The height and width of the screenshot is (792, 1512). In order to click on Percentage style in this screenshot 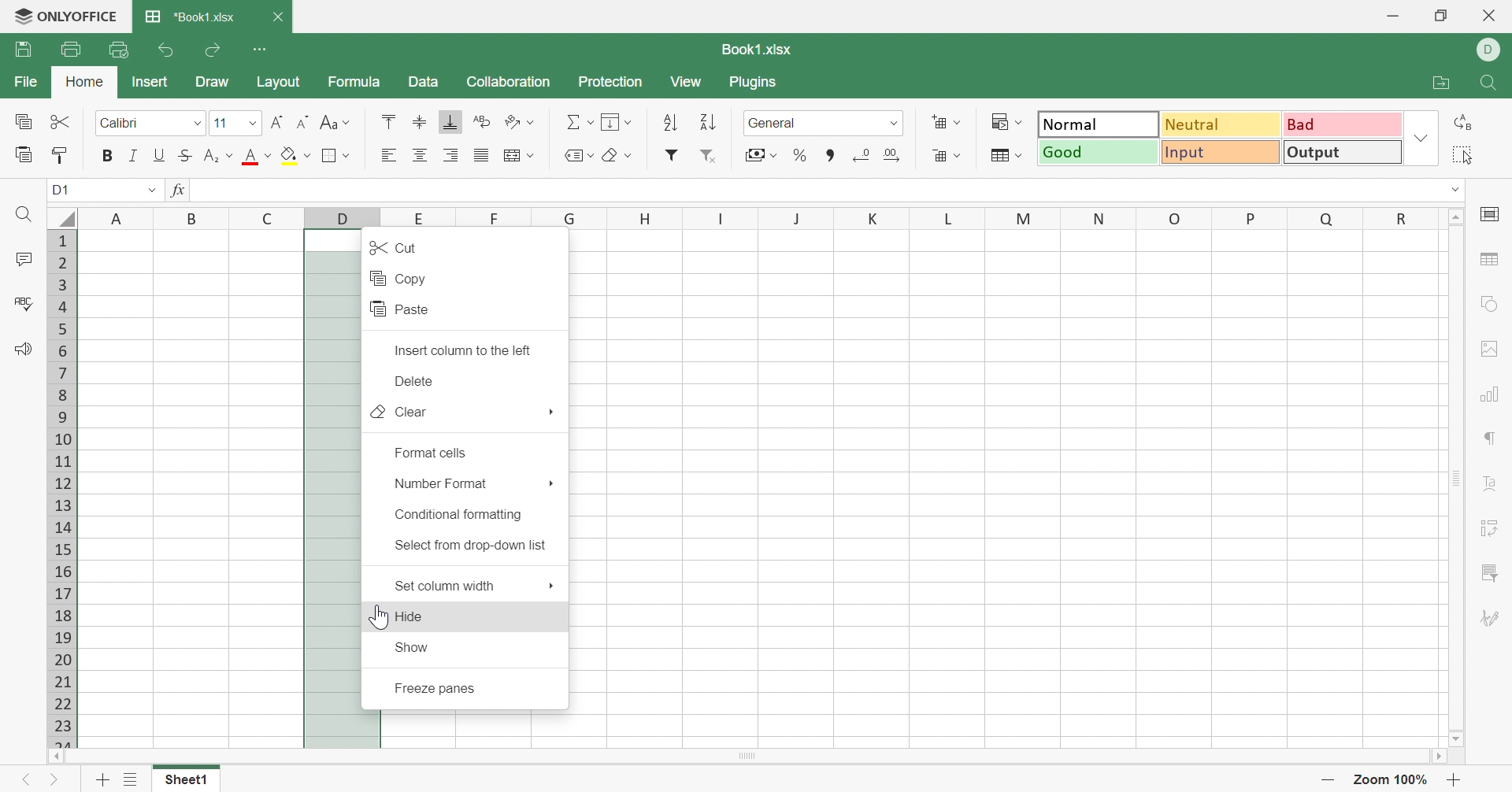, I will do `click(801, 157)`.